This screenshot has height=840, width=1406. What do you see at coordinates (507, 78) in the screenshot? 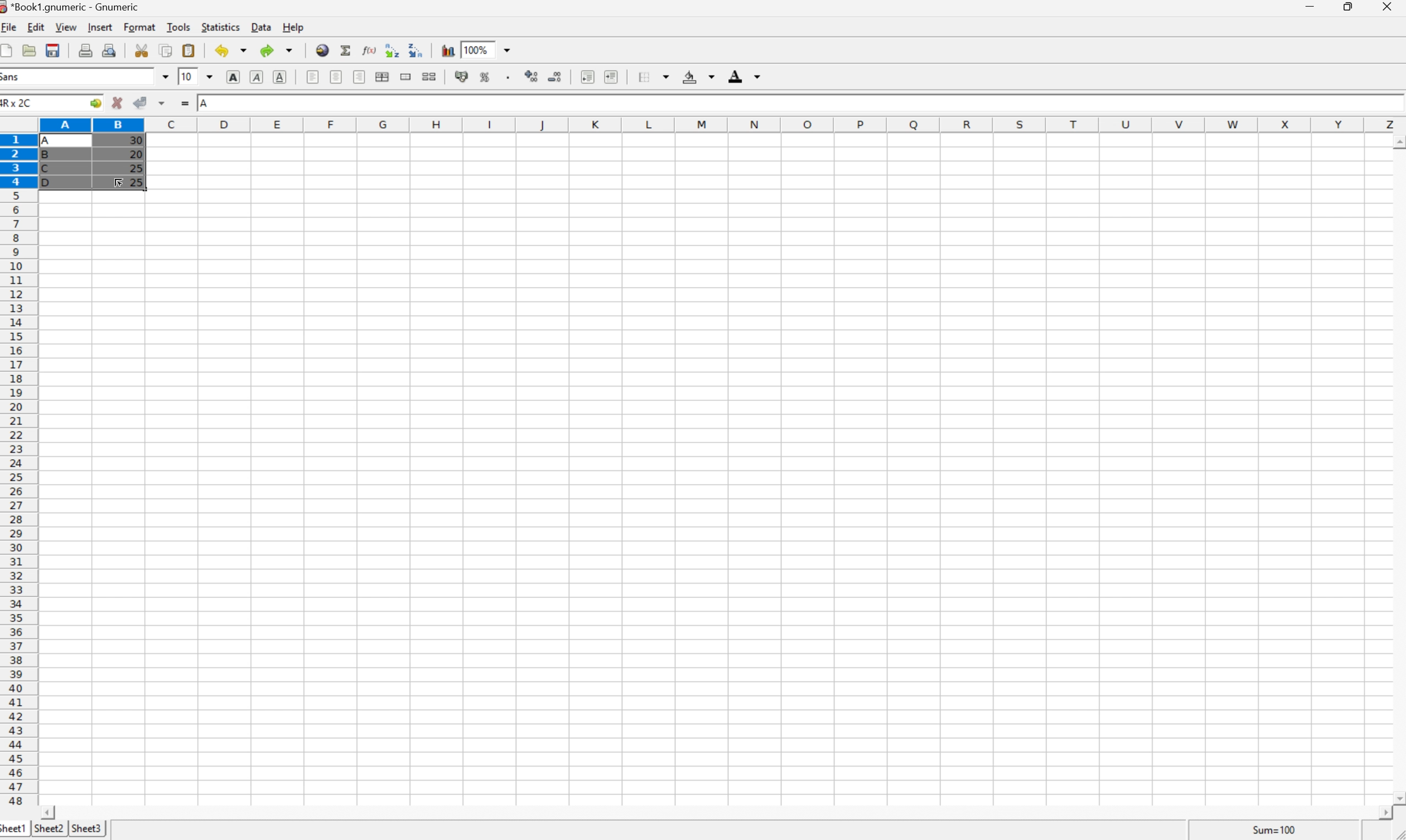
I see `Set the format of the selected cells to include a thousands separator` at bounding box center [507, 78].